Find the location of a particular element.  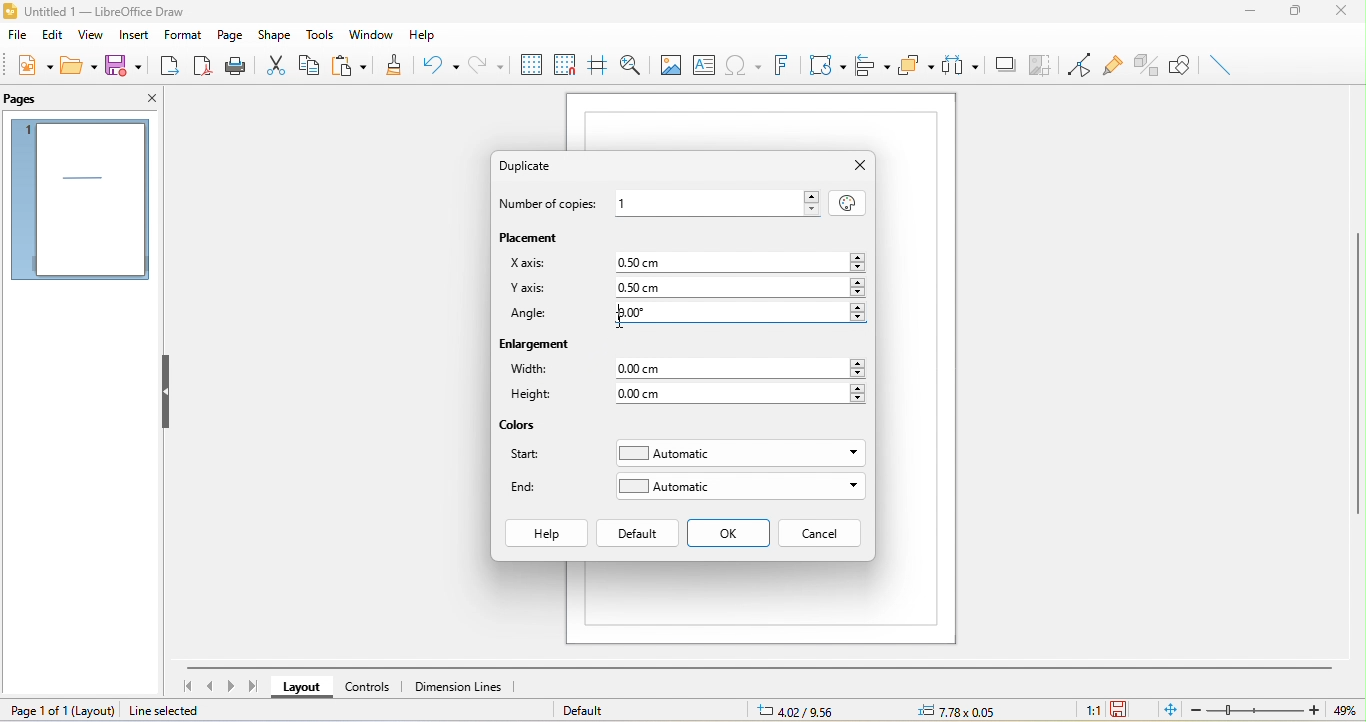

window is located at coordinates (371, 33).